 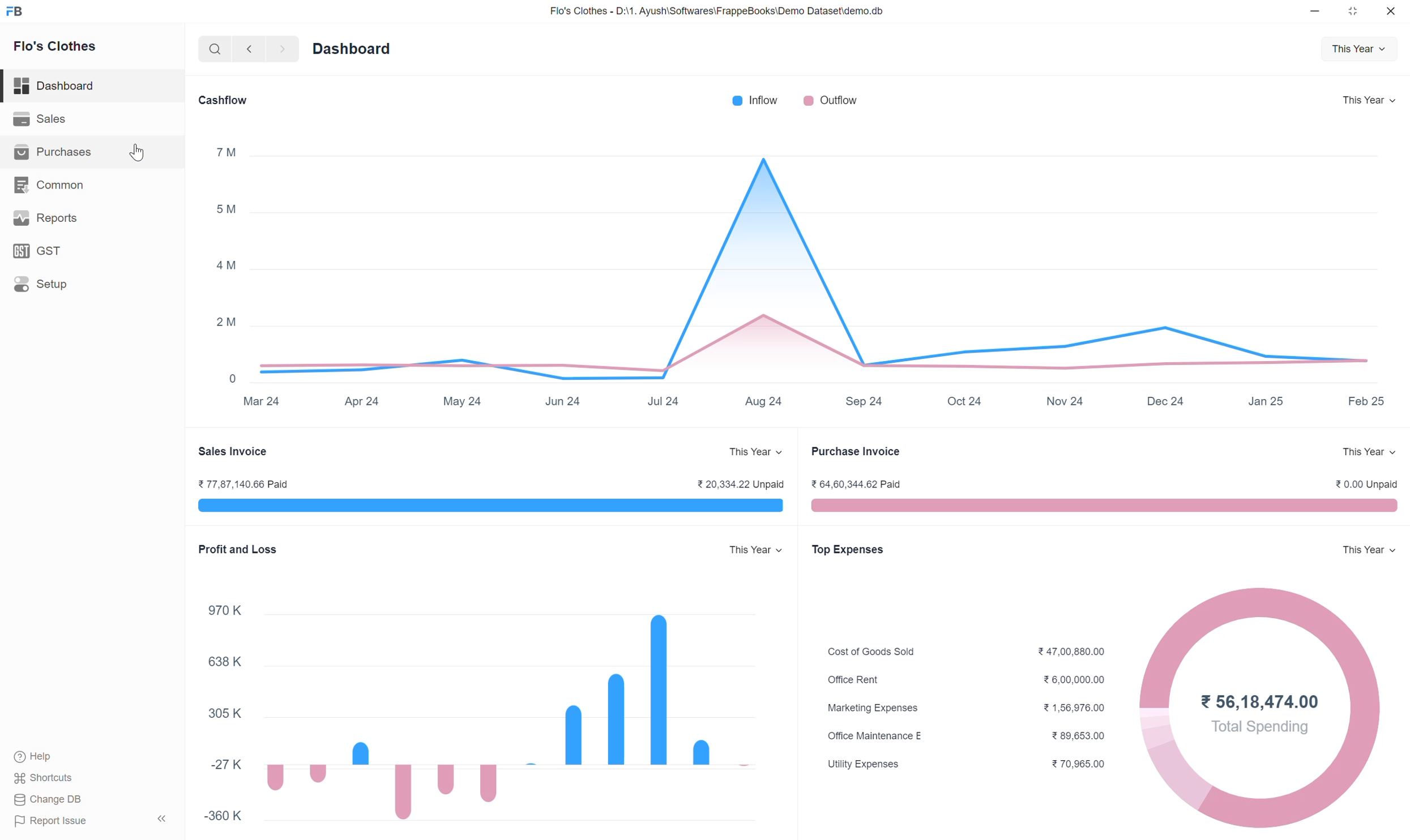 What do you see at coordinates (864, 764) in the screenshot?
I see `Utility Expenses` at bounding box center [864, 764].